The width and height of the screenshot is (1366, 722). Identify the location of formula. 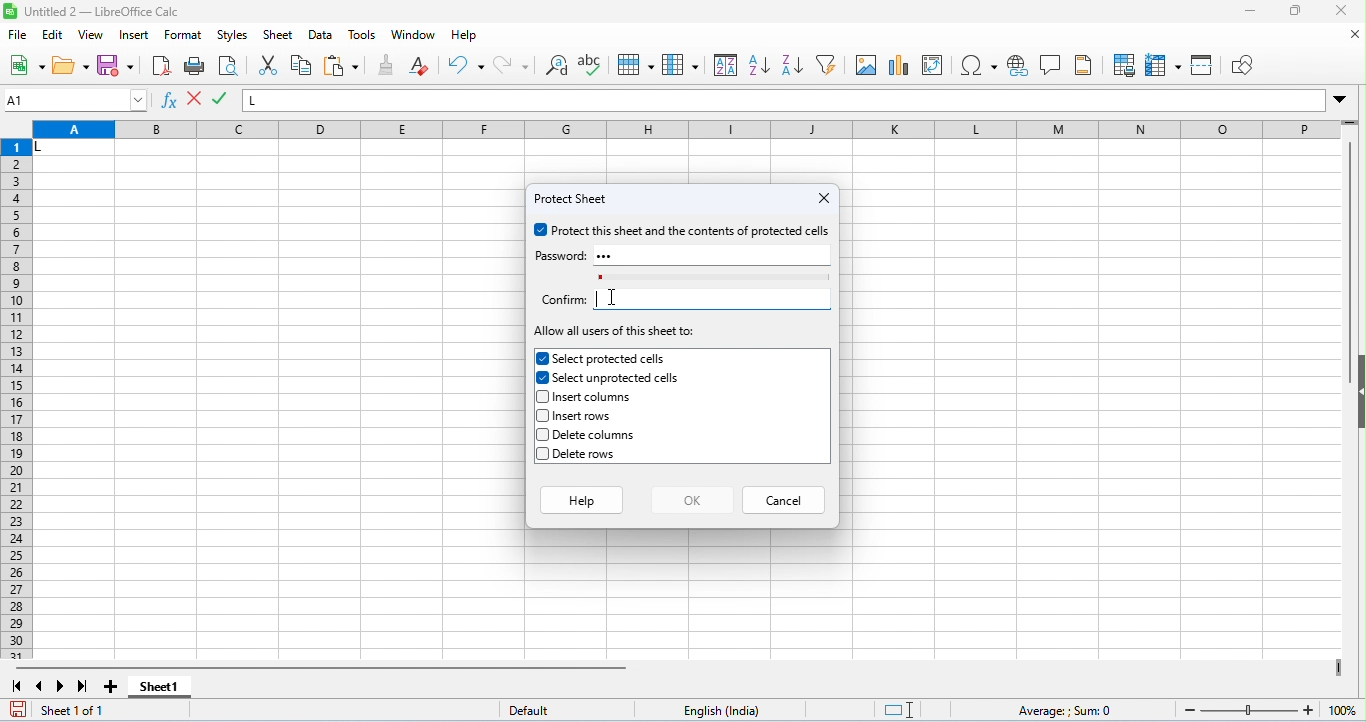
(1067, 711).